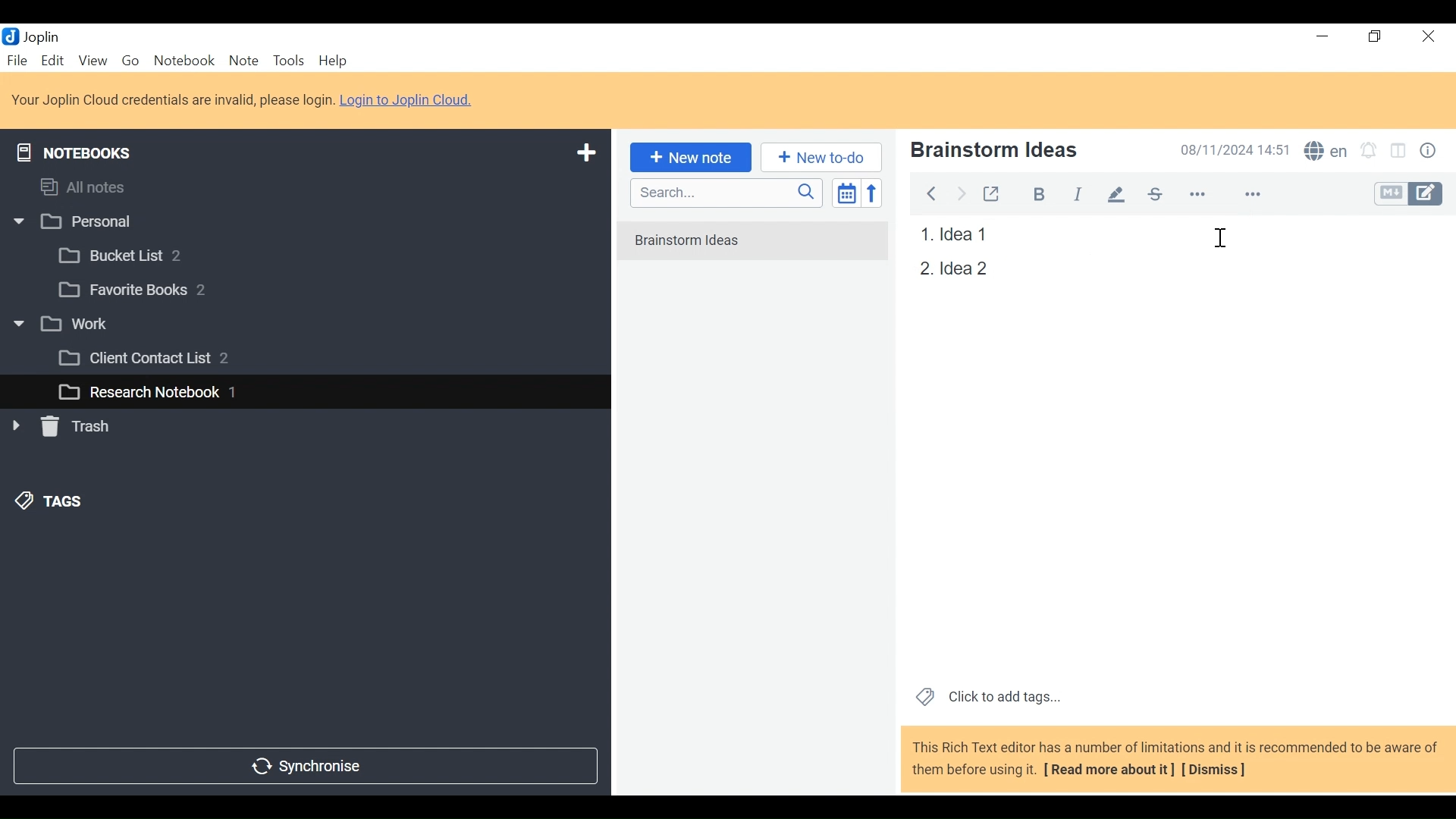  I want to click on Toggle Editor, so click(1410, 194).